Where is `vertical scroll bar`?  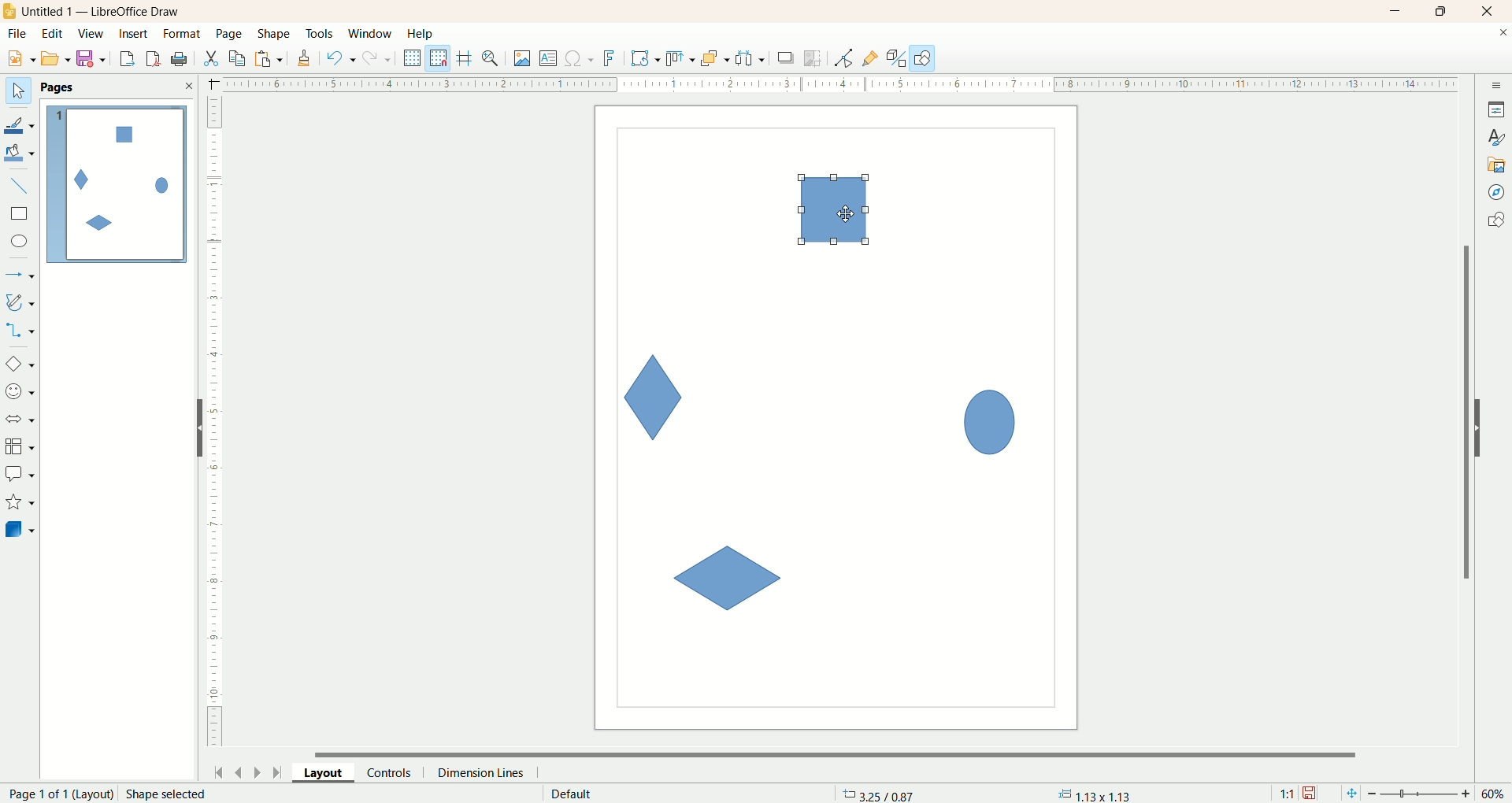
vertical scroll bar is located at coordinates (1463, 412).